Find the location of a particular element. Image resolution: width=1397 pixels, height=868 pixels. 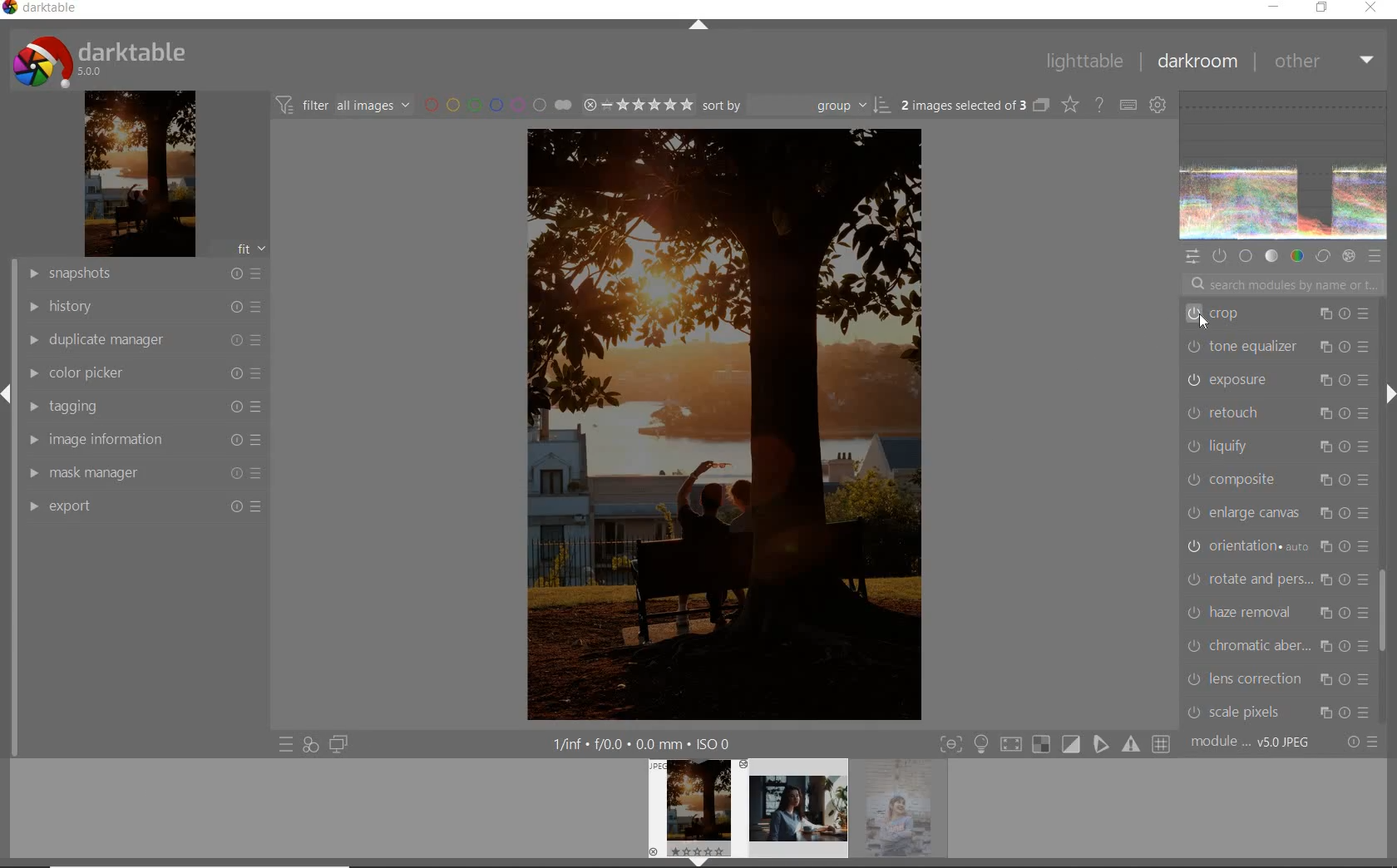

base is located at coordinates (1246, 257).